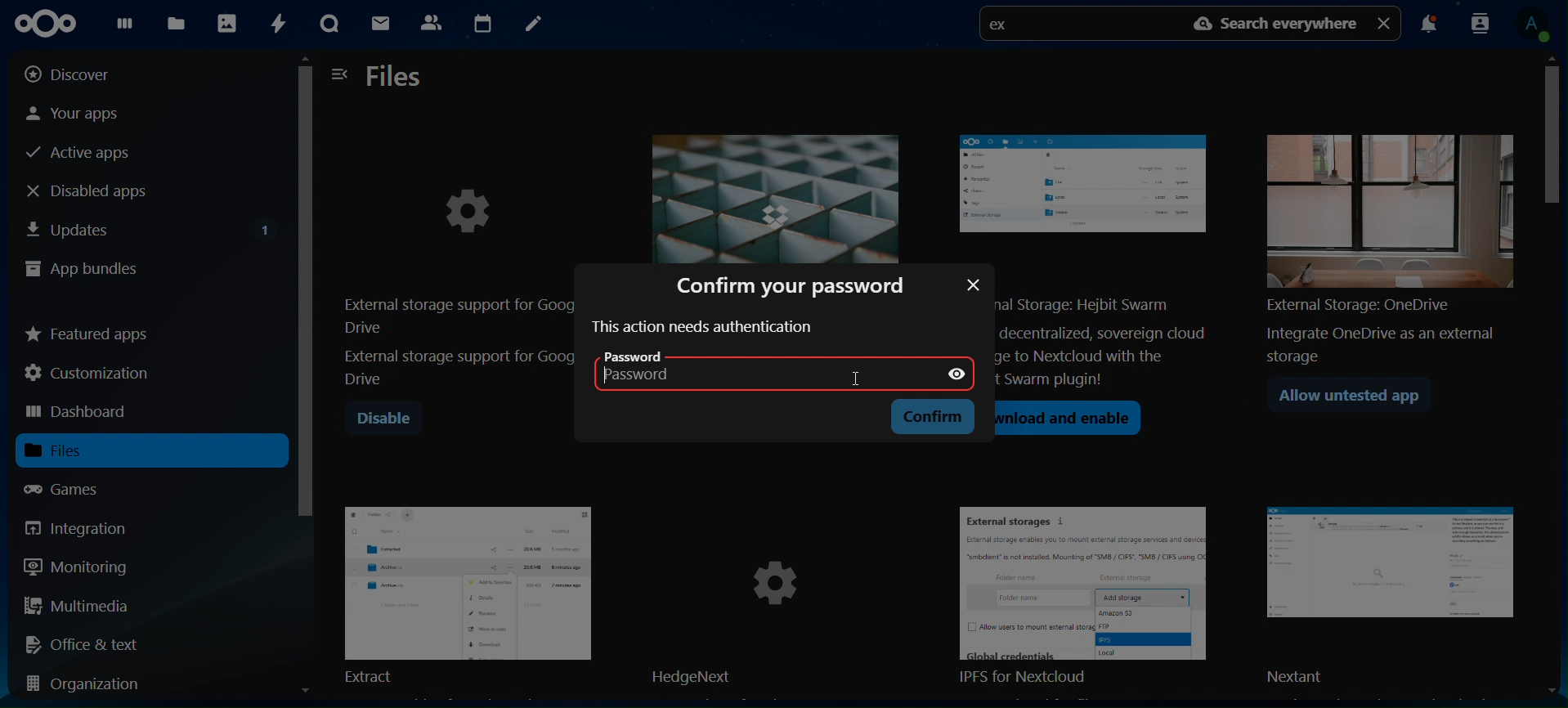 The image size is (1568, 708). Describe the element at coordinates (88, 330) in the screenshot. I see `featured apps` at that location.